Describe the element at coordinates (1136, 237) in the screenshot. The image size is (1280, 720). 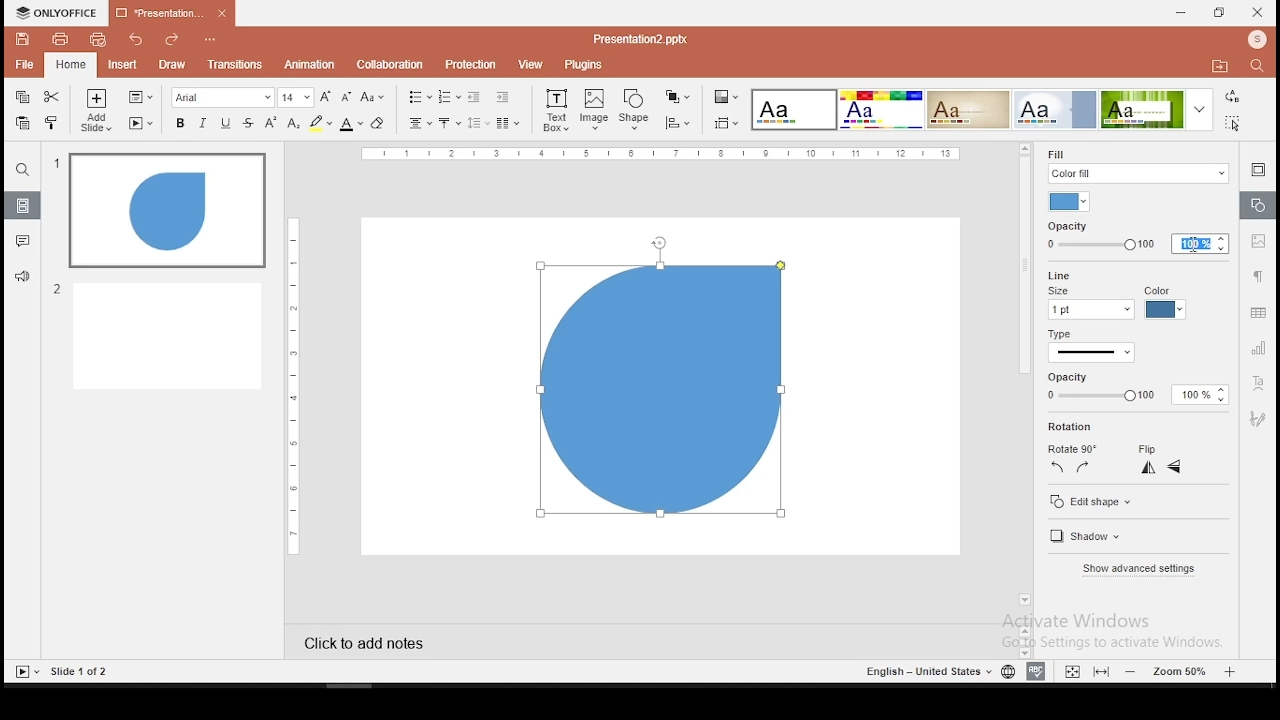
I see `opacity` at that location.